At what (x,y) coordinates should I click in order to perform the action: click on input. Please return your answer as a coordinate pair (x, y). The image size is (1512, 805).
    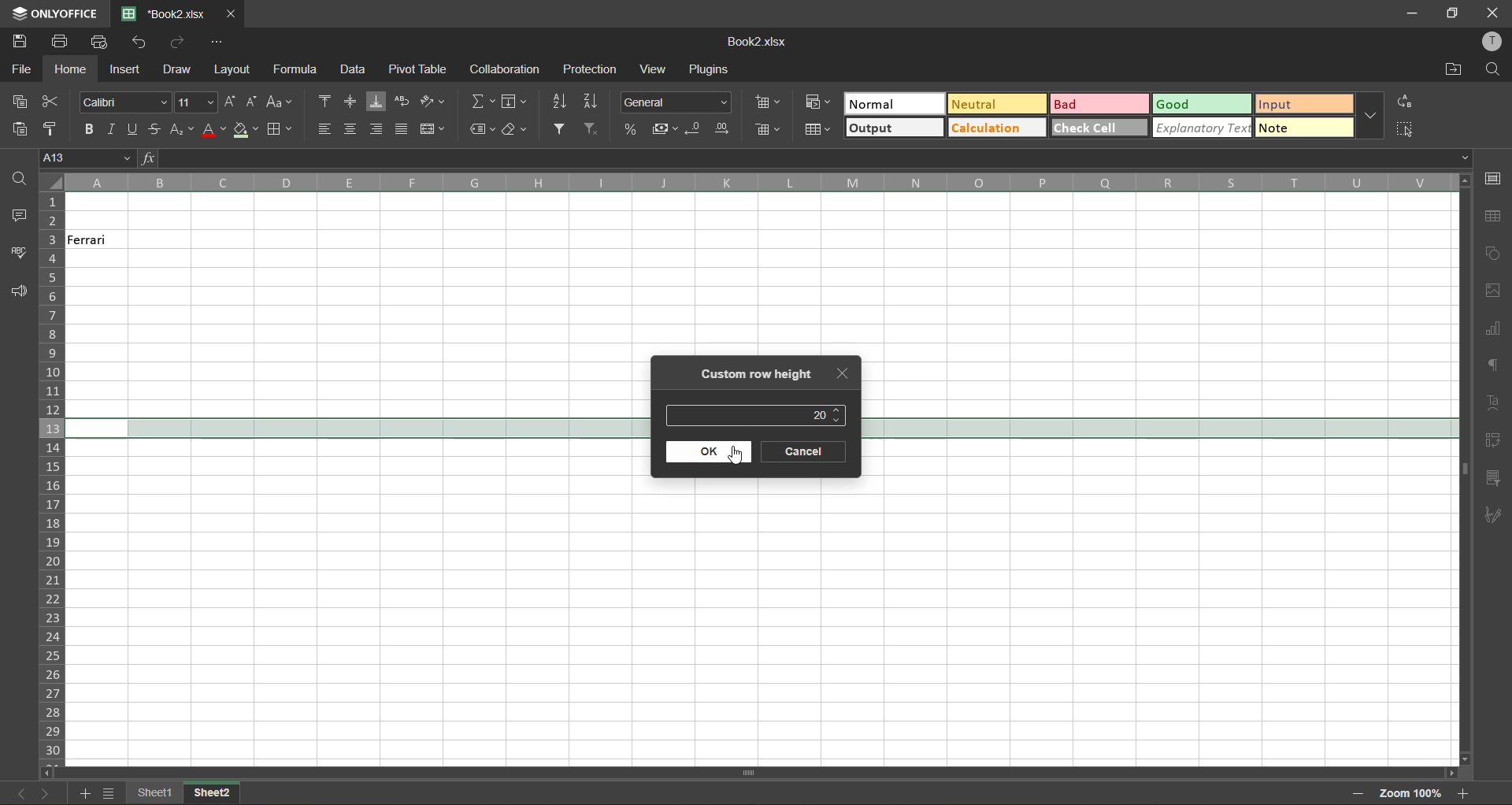
    Looking at the image, I should click on (1302, 103).